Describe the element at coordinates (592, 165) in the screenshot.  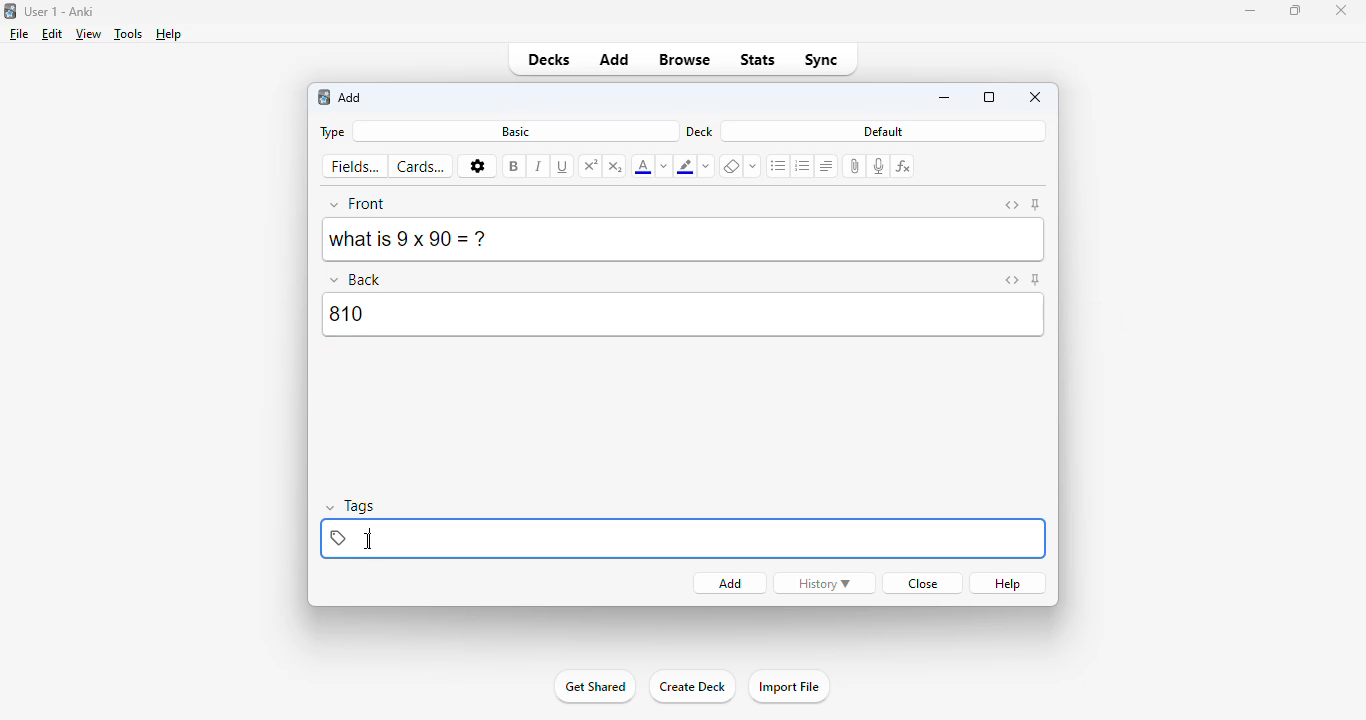
I see `superscript` at that location.